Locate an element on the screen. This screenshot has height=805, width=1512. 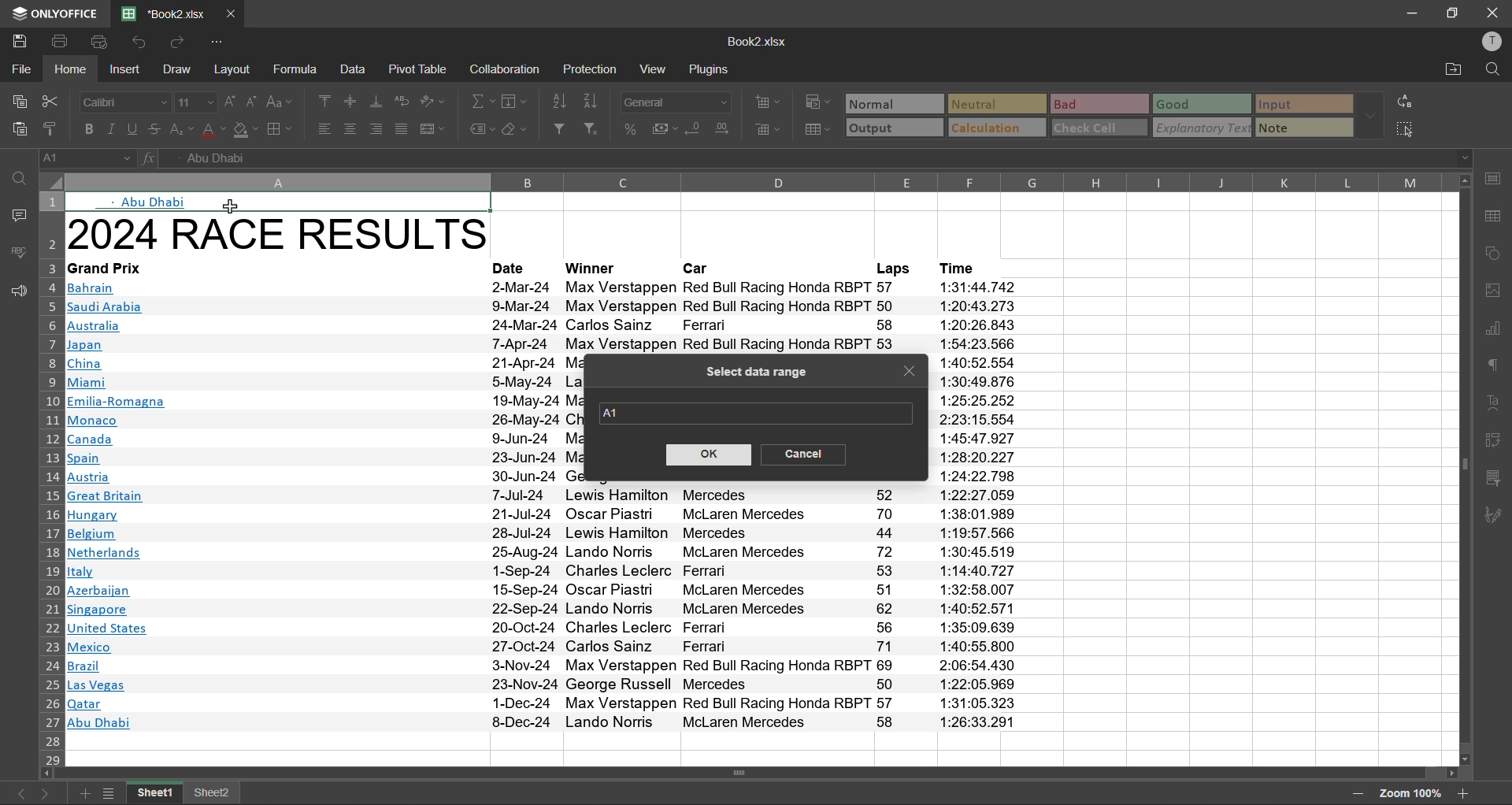
file is located at coordinates (20, 70).